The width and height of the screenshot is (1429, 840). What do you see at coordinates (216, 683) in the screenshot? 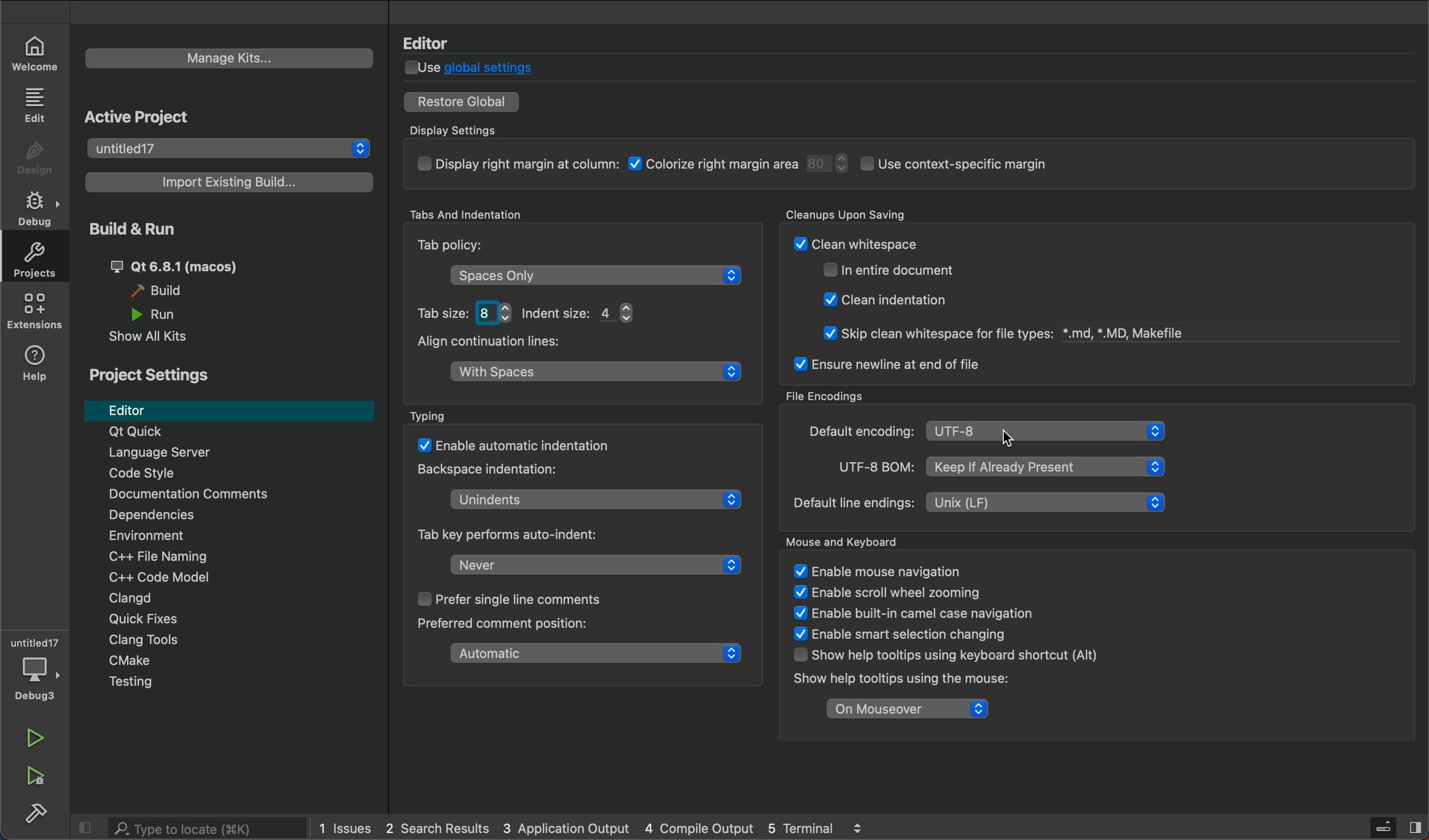
I see `` at bounding box center [216, 683].